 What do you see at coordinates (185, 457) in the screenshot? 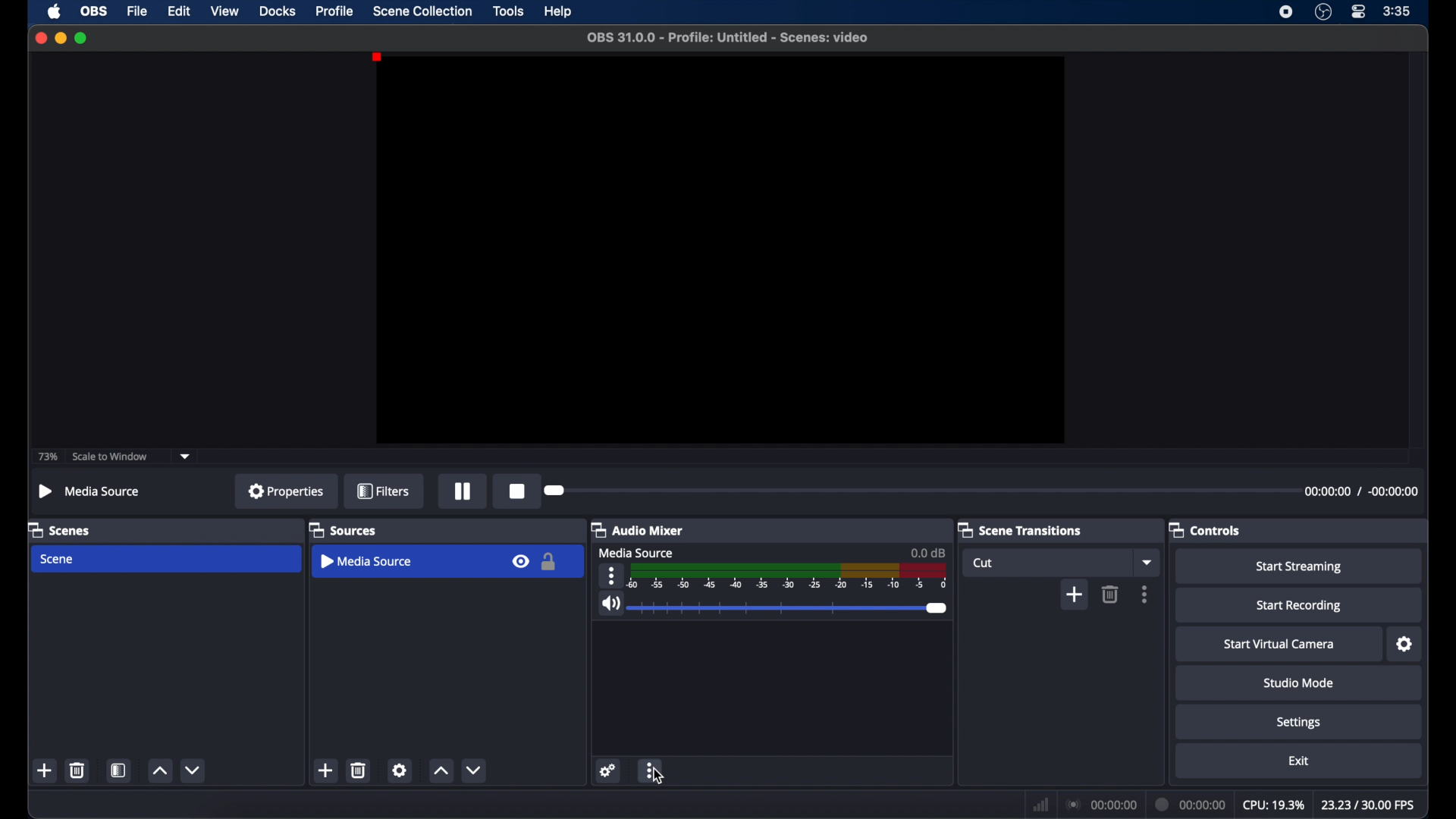
I see `dropdown` at bounding box center [185, 457].